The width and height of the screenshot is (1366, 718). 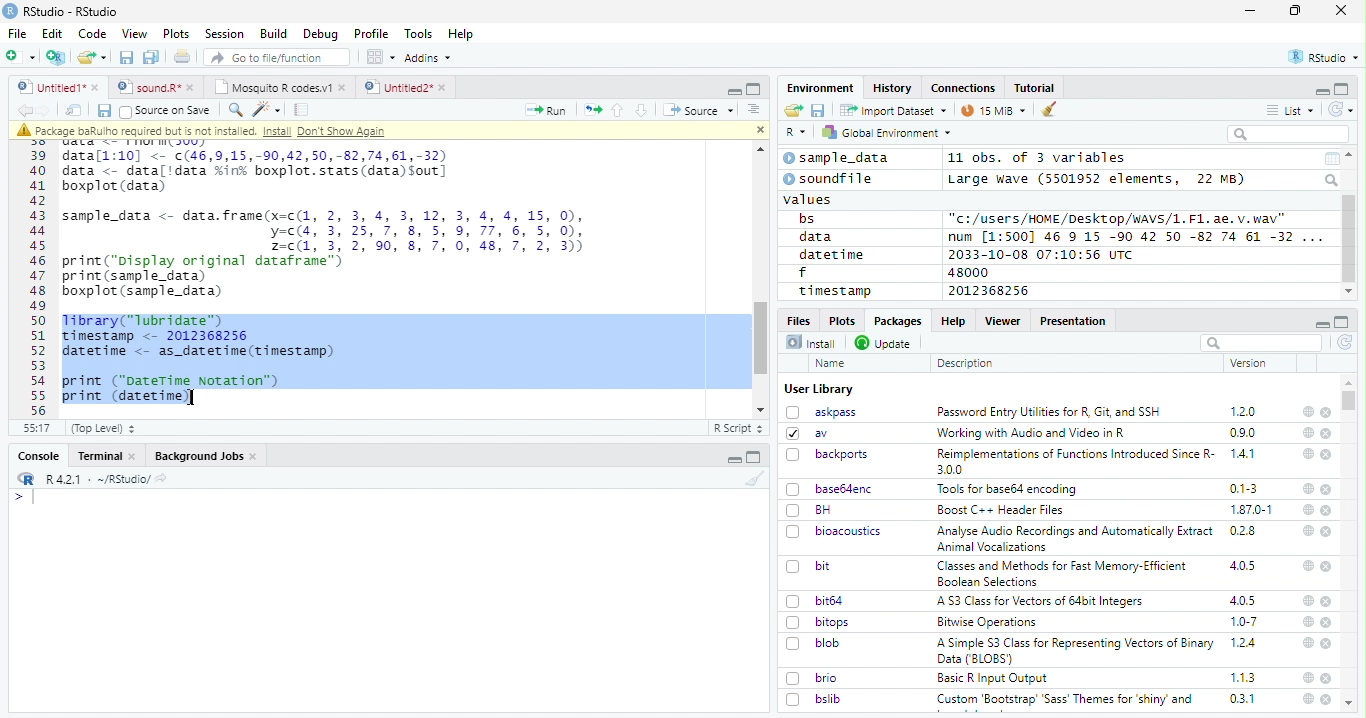 What do you see at coordinates (1247, 488) in the screenshot?
I see `0.1-3` at bounding box center [1247, 488].